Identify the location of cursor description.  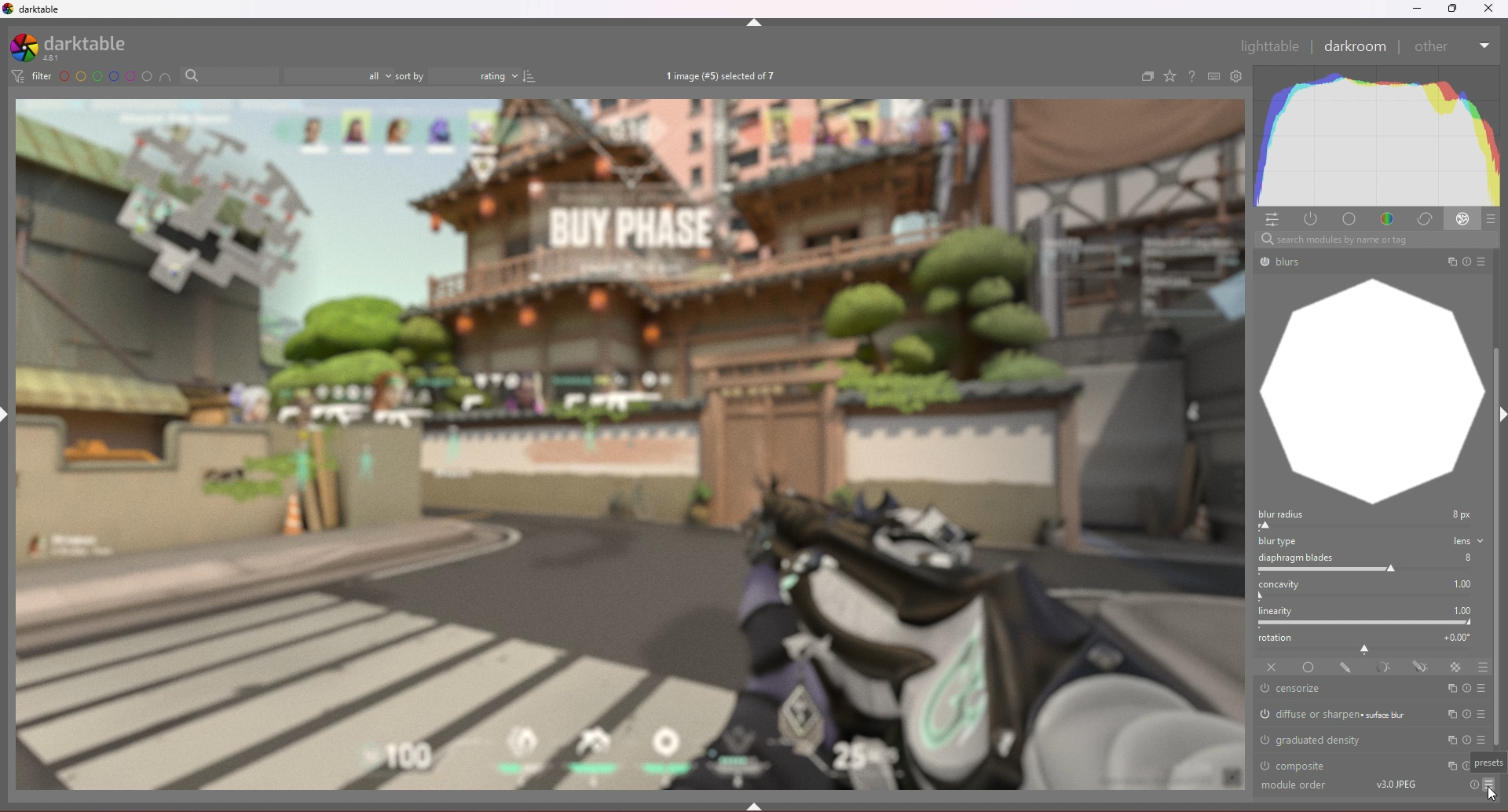
(1488, 762).